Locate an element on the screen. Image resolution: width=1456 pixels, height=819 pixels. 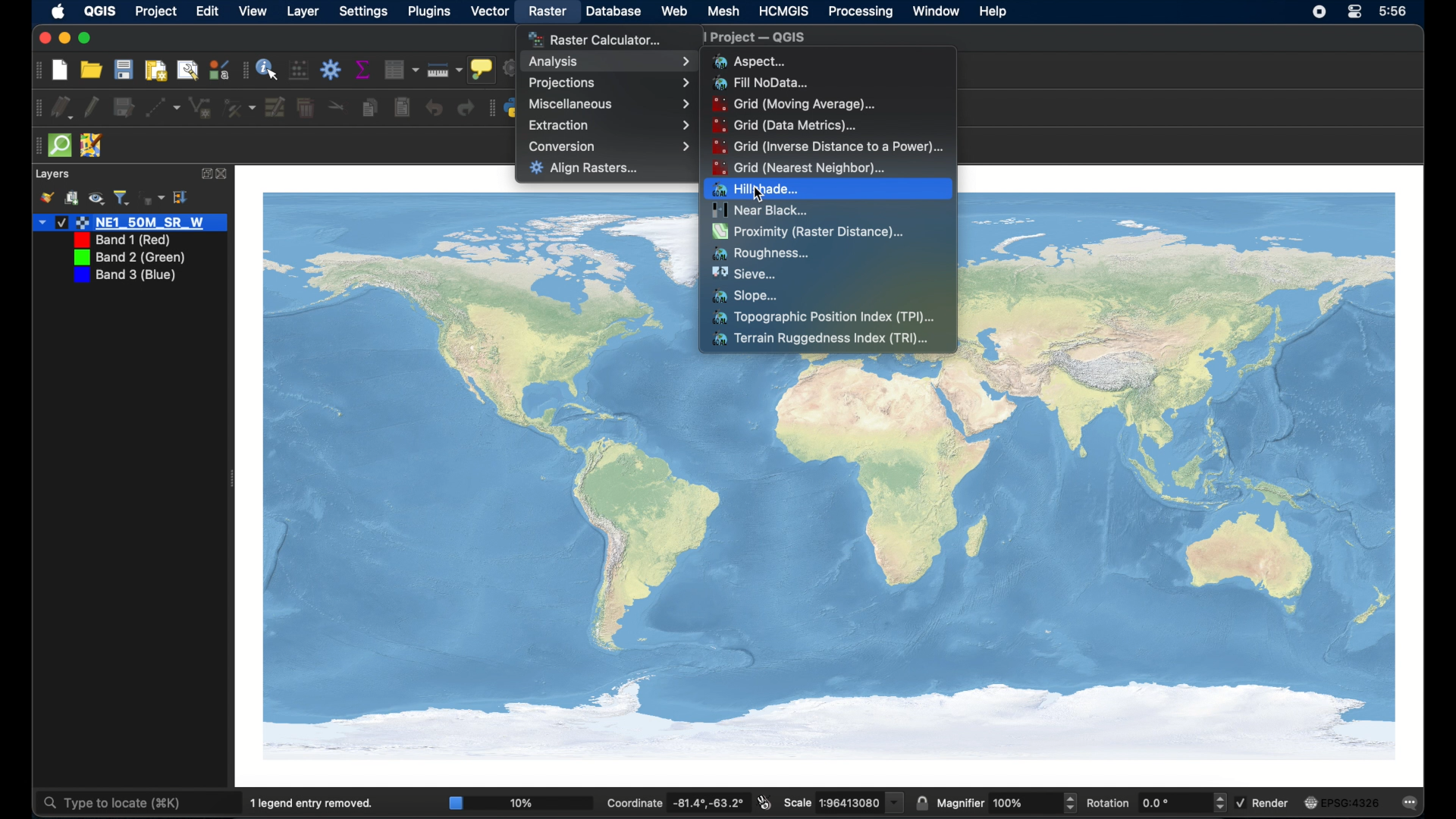
open field calculator is located at coordinates (300, 71).